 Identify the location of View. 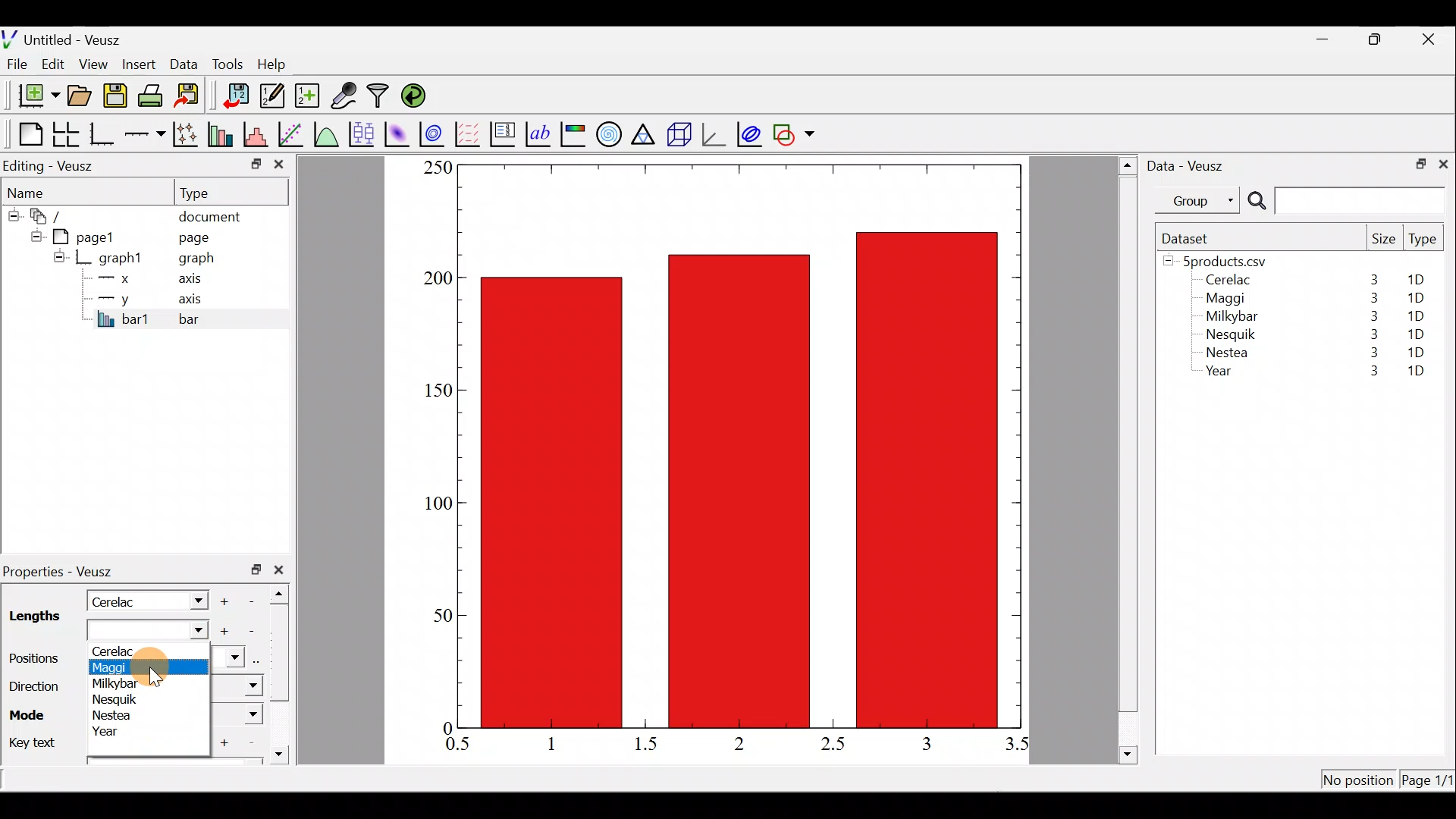
(96, 61).